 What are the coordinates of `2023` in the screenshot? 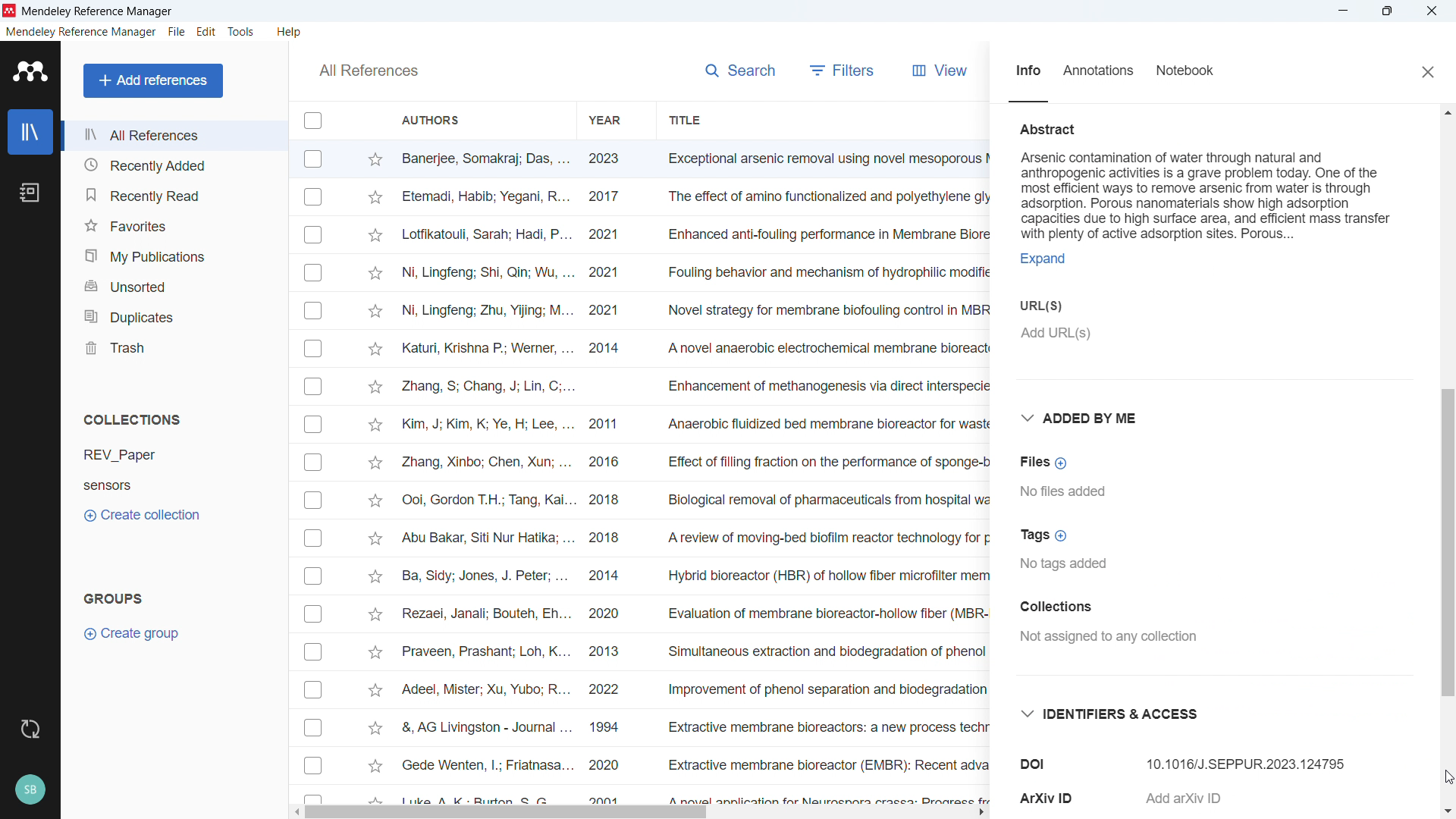 It's located at (607, 161).